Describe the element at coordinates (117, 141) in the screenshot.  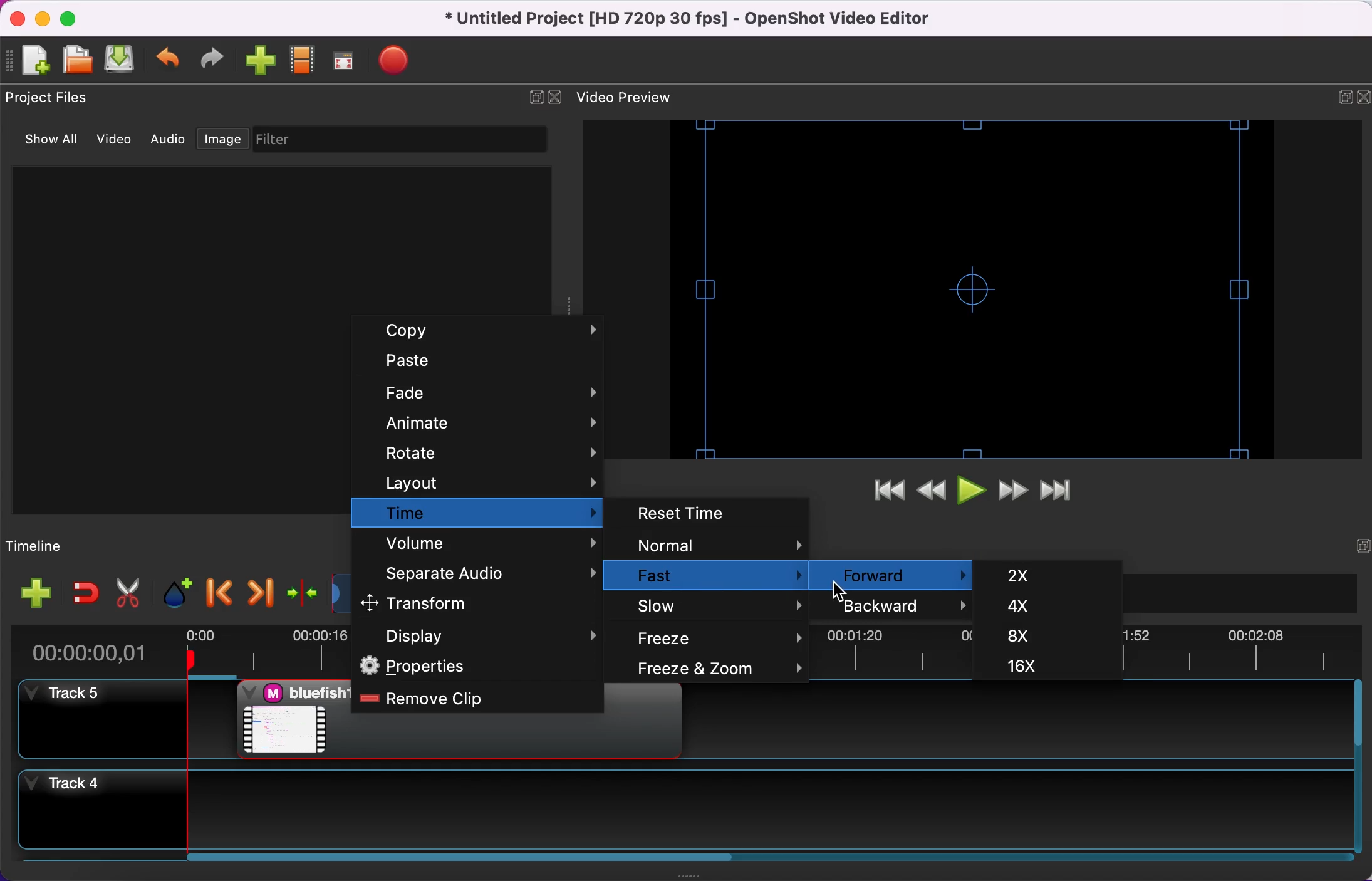
I see `video` at that location.